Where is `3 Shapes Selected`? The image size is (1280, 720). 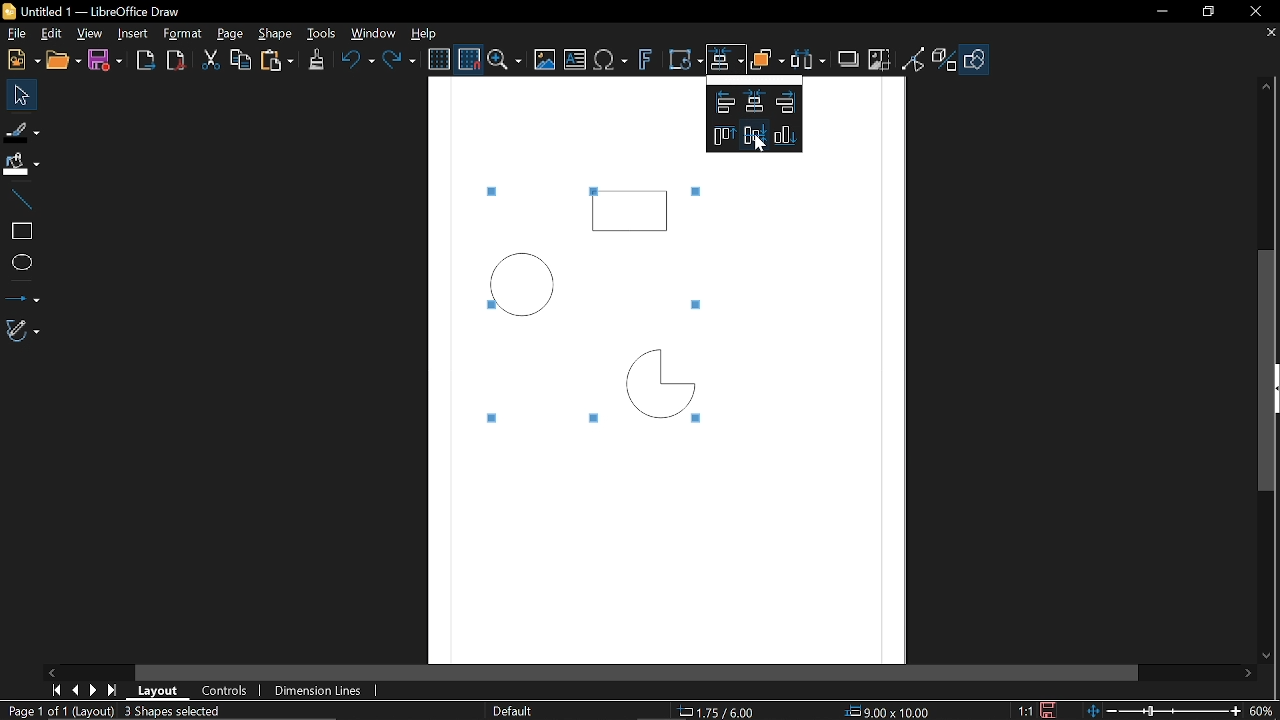
3 Shapes Selected is located at coordinates (199, 711).